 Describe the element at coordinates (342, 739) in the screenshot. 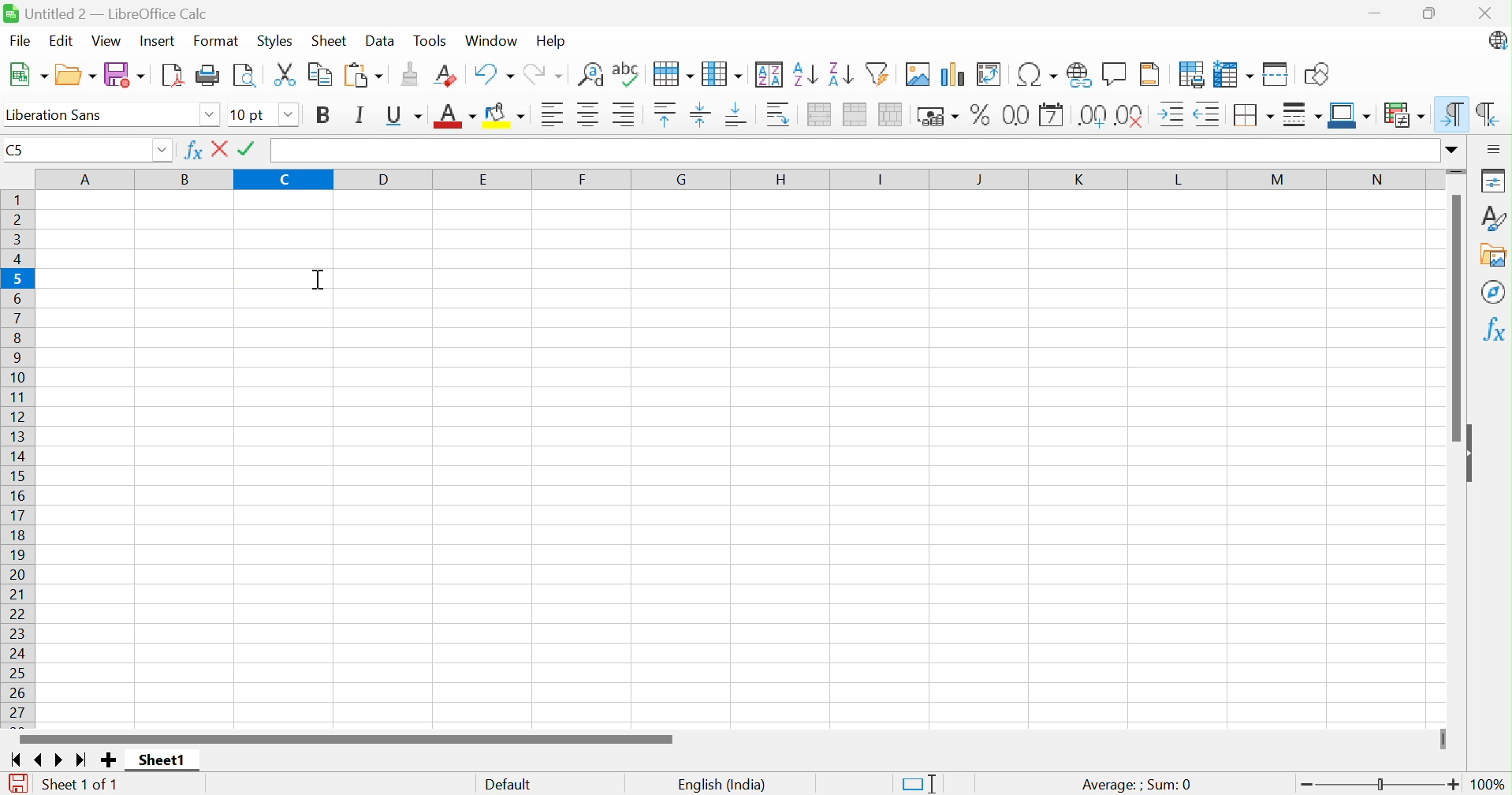

I see `Scroll bar` at that location.